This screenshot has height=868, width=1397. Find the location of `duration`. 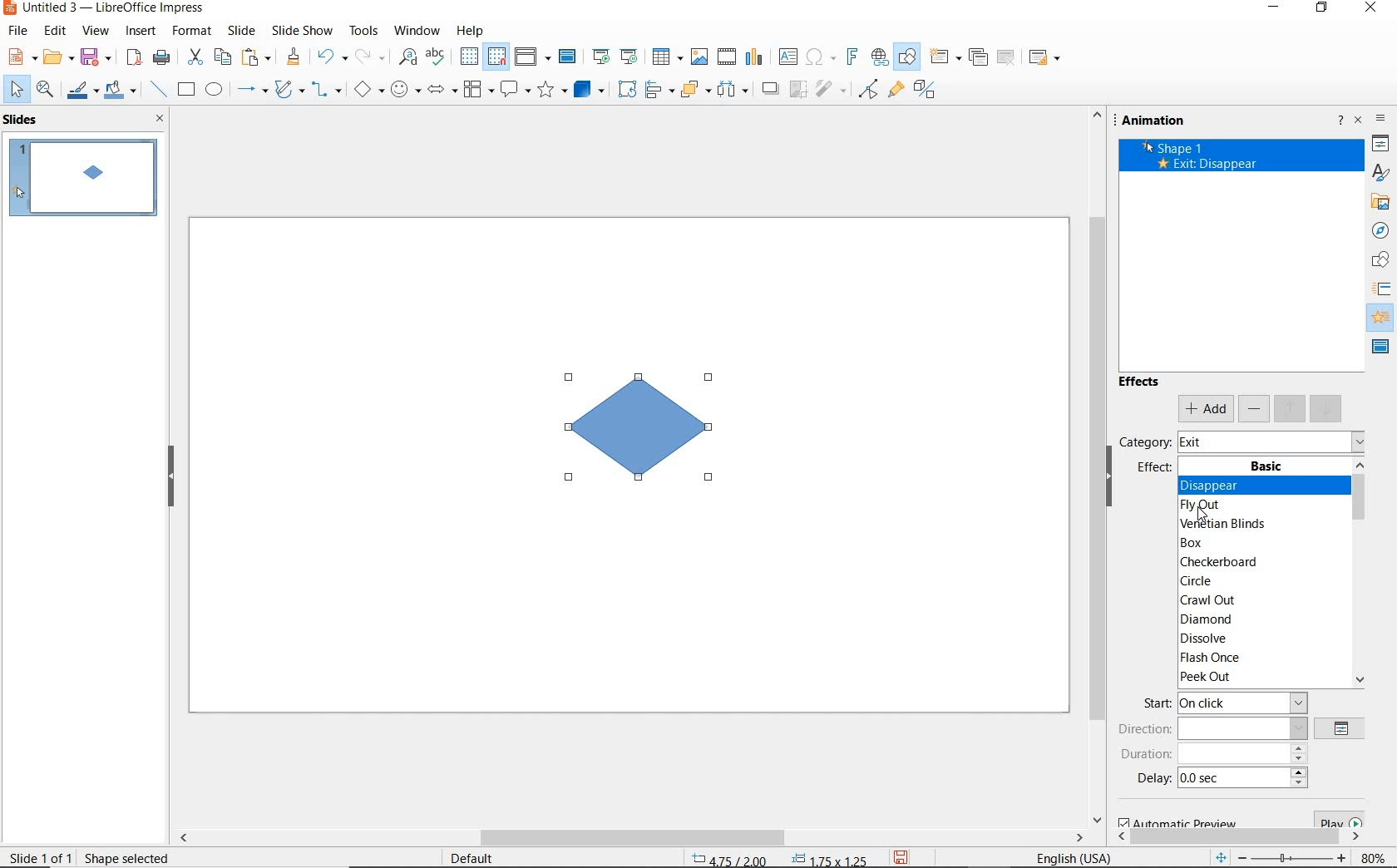

duration is located at coordinates (1215, 754).